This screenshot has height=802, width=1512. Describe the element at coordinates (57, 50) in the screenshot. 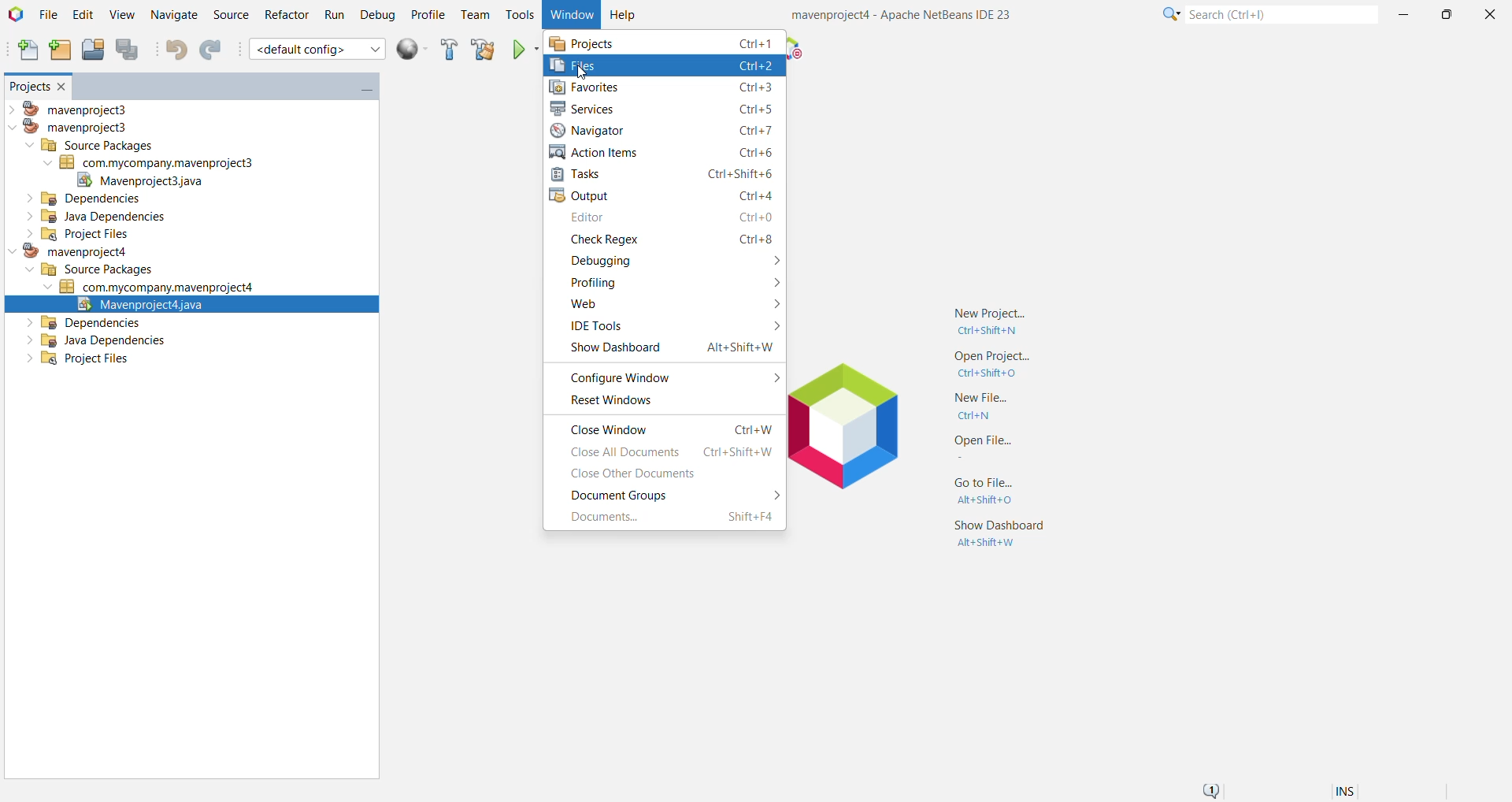

I see `New Project` at that location.